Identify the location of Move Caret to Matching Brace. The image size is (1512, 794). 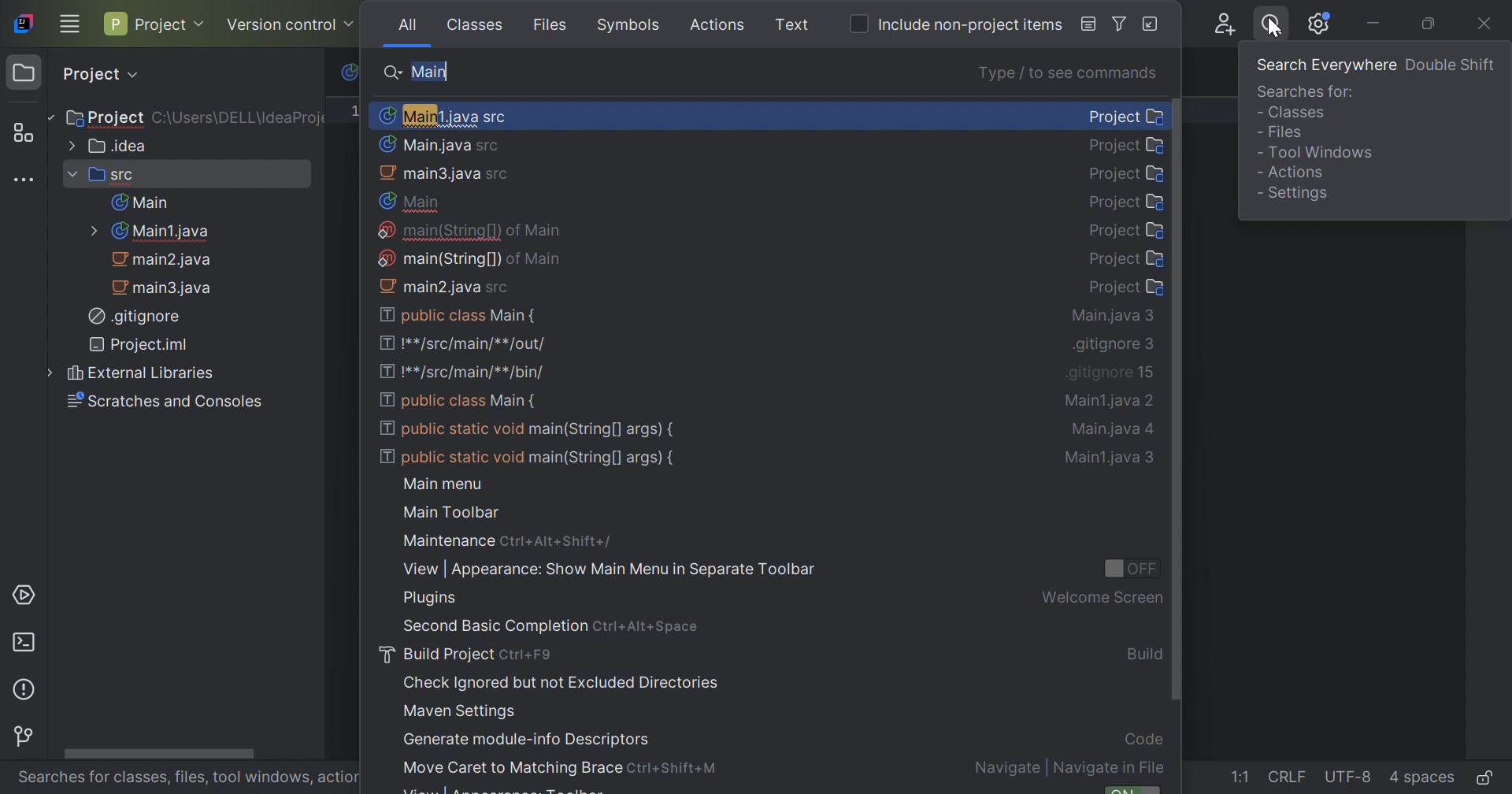
(510, 767).